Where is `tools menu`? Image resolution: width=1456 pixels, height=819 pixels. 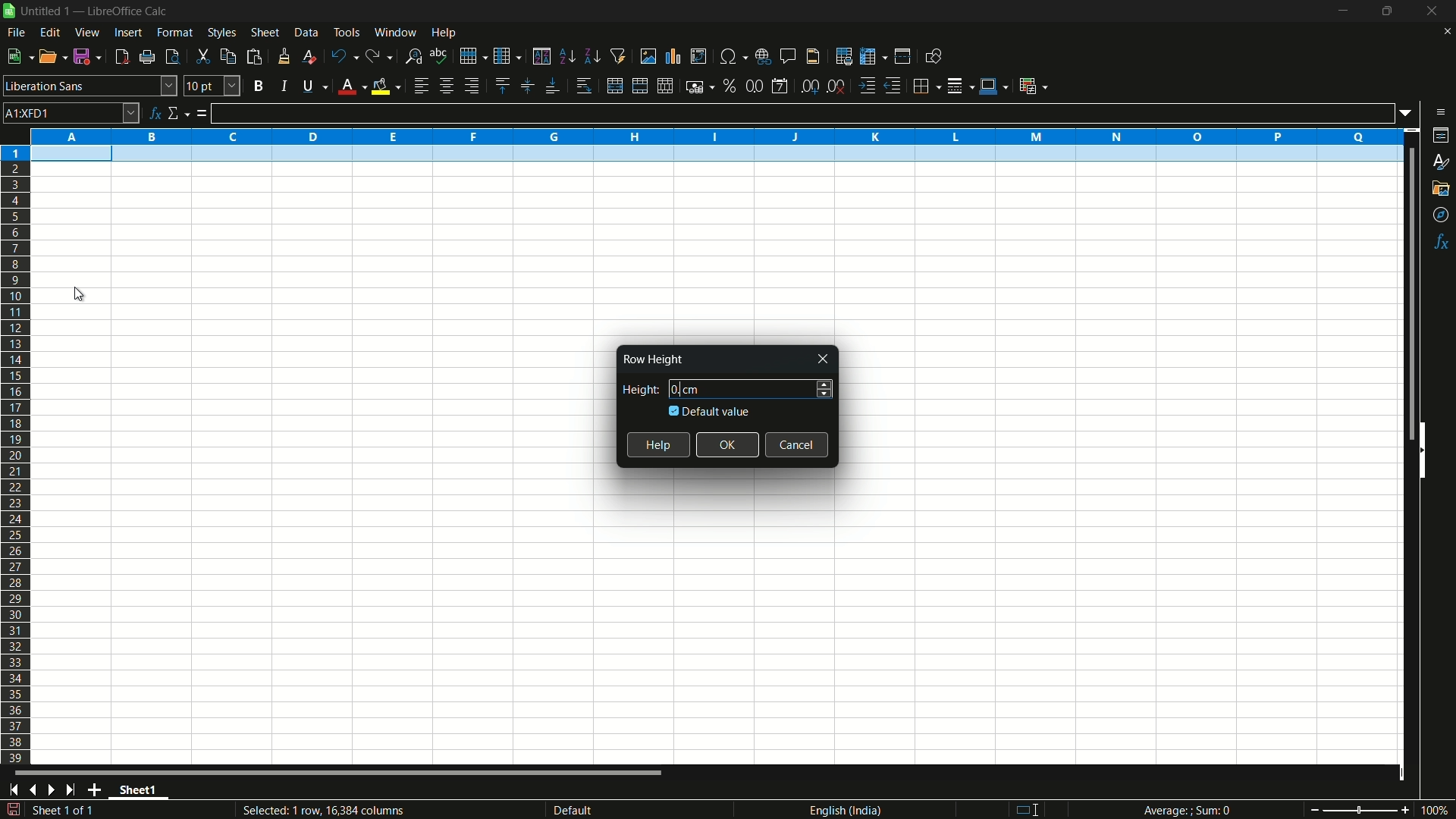
tools menu is located at coordinates (346, 32).